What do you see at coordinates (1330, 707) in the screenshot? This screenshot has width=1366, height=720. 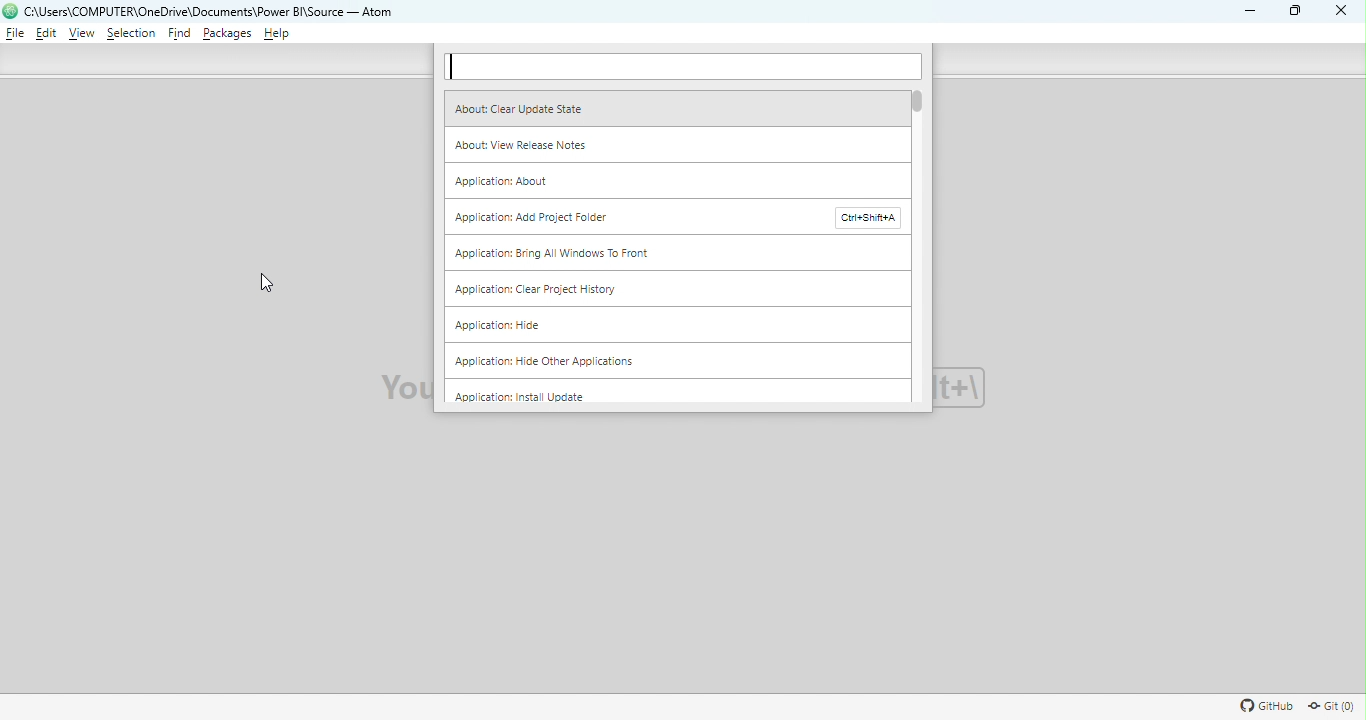 I see `Git repository` at bounding box center [1330, 707].